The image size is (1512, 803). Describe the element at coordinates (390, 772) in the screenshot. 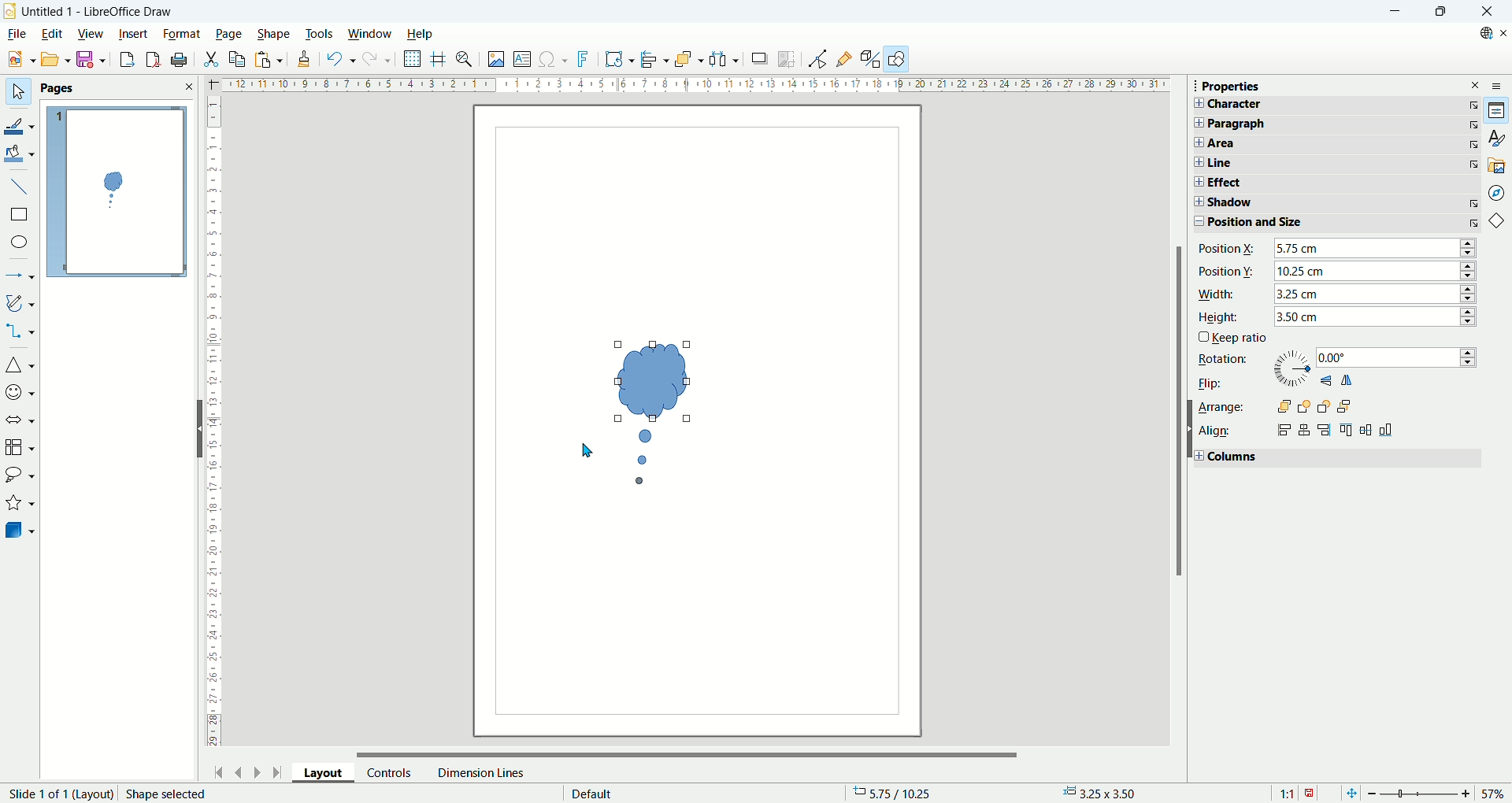

I see `control` at that location.